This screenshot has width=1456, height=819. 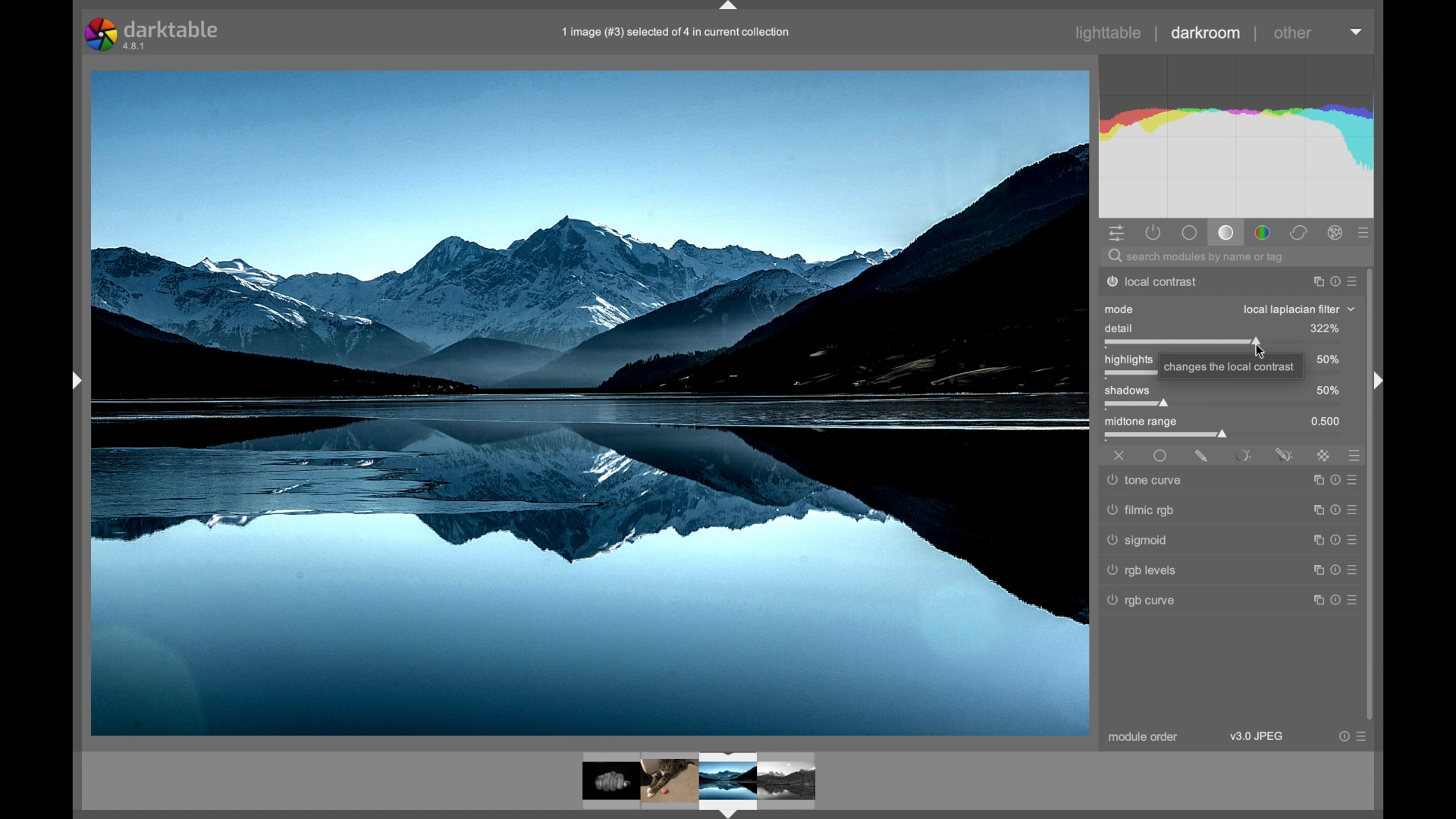 I want to click on other, so click(x=1294, y=32).